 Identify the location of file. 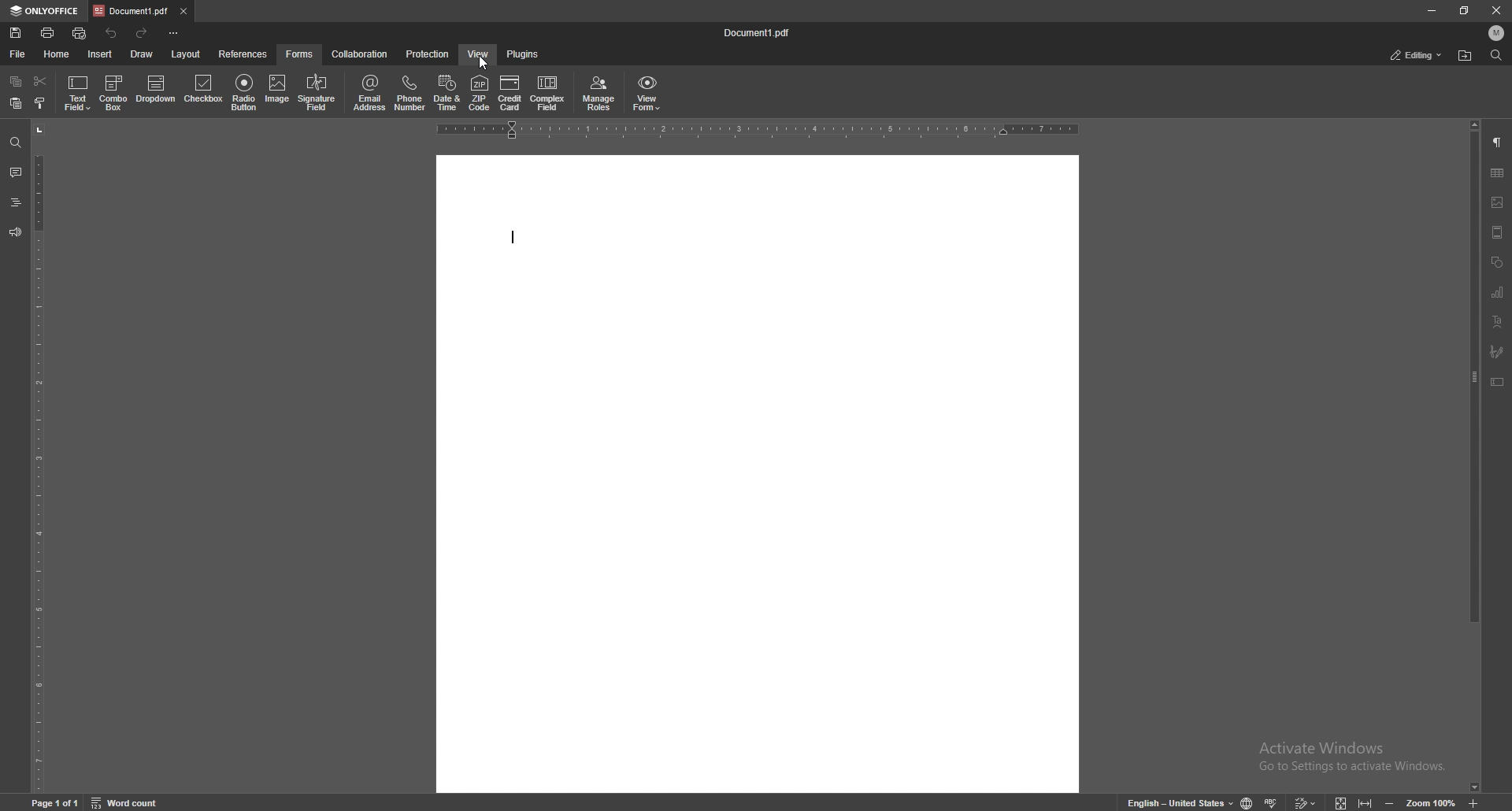
(18, 54).